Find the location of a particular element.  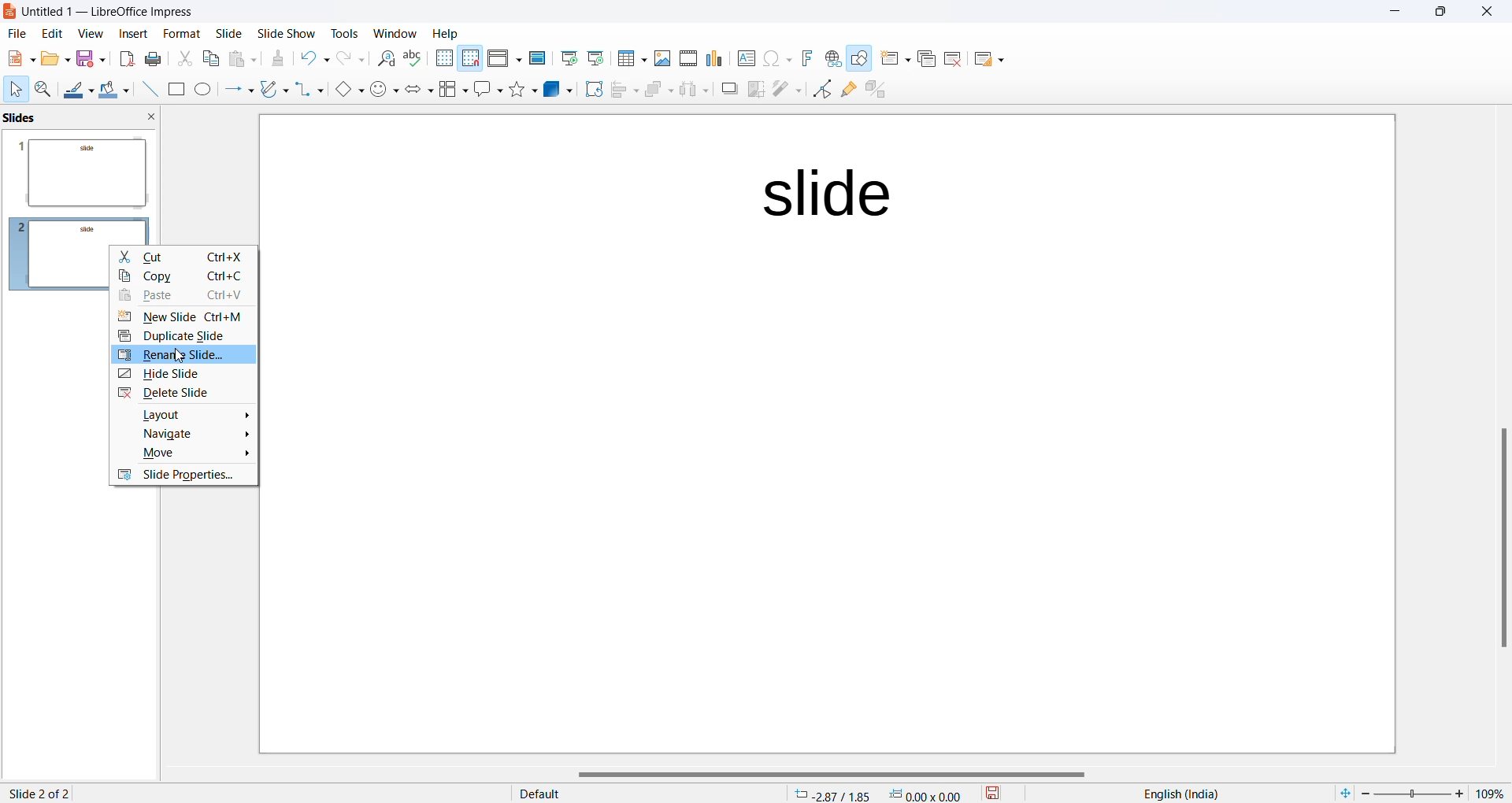

Start from current slide is located at coordinates (595, 60).